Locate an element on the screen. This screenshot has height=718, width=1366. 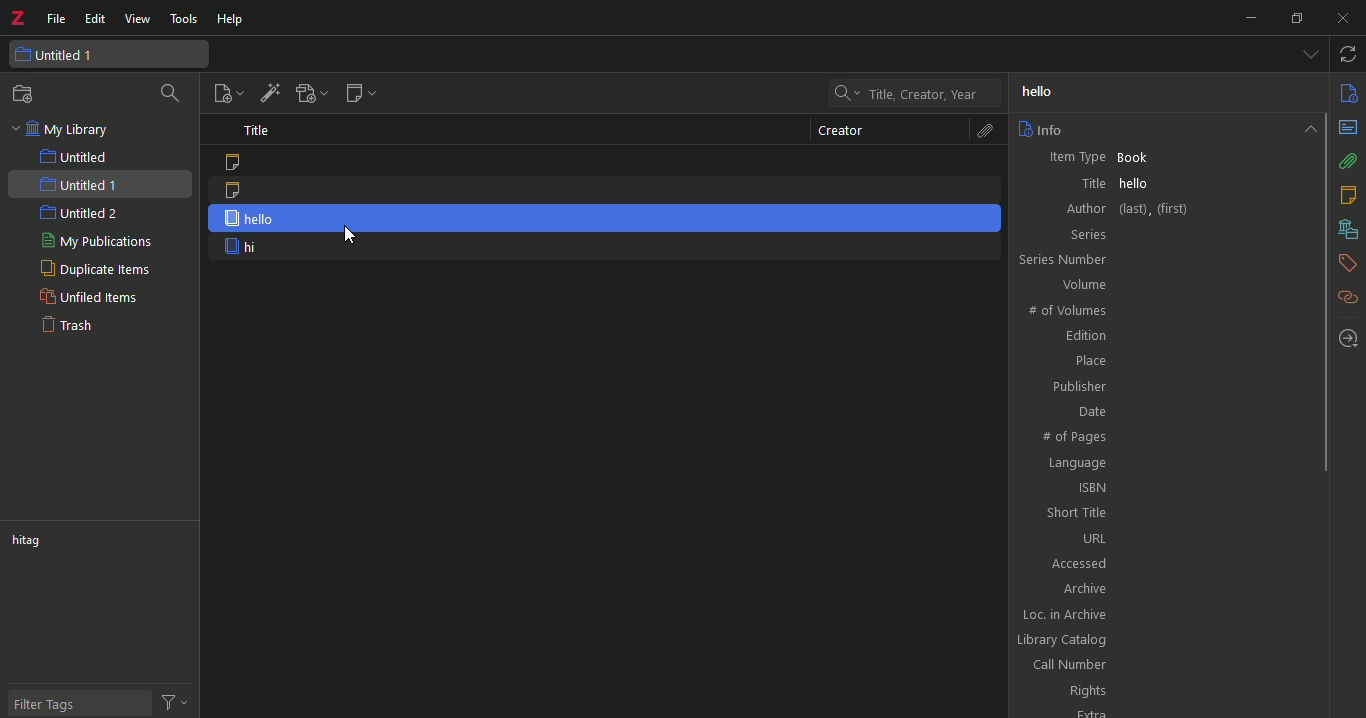
title is located at coordinates (260, 133).